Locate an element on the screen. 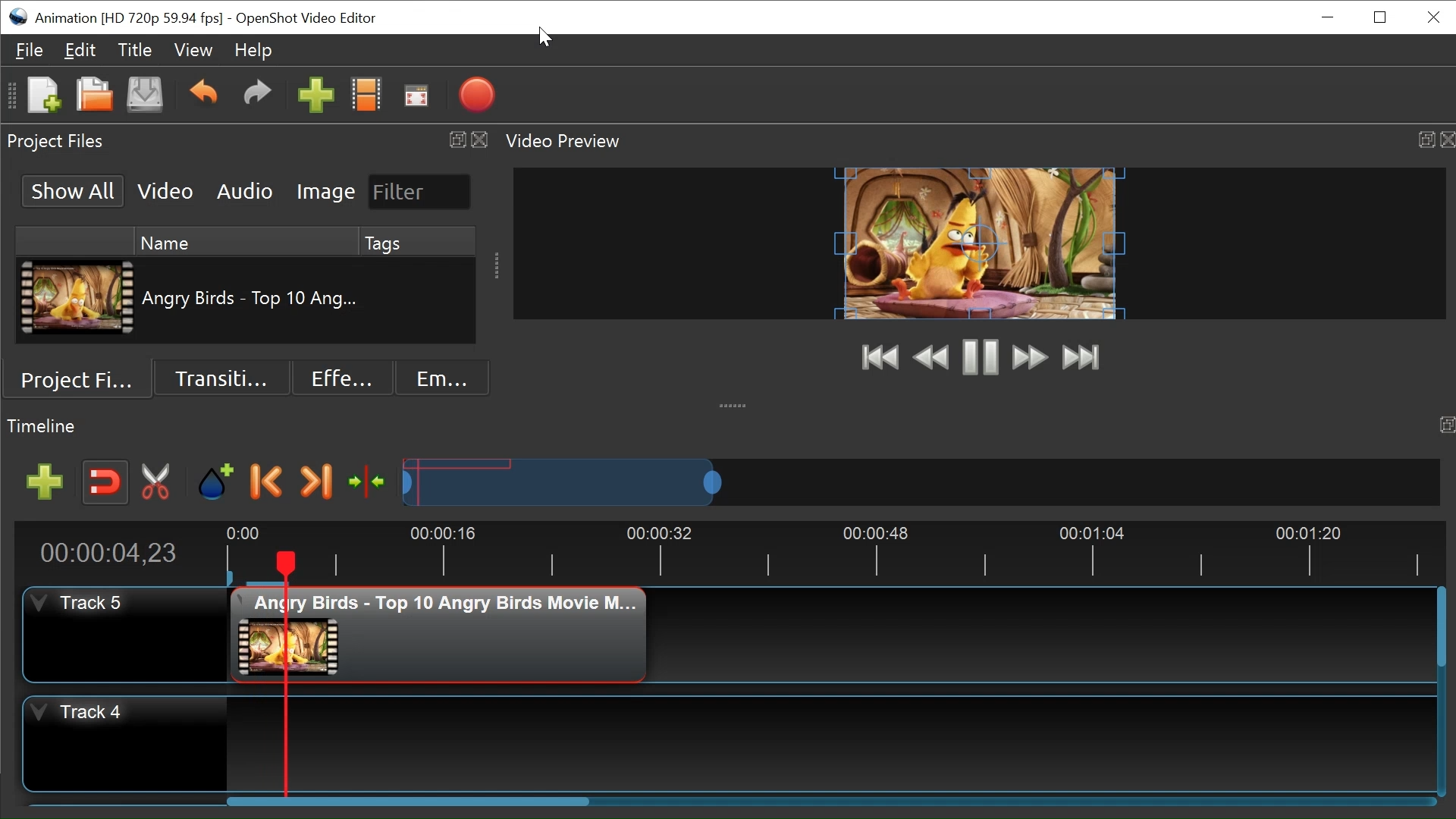 This screenshot has width=1456, height=819. Add Track is located at coordinates (44, 482).